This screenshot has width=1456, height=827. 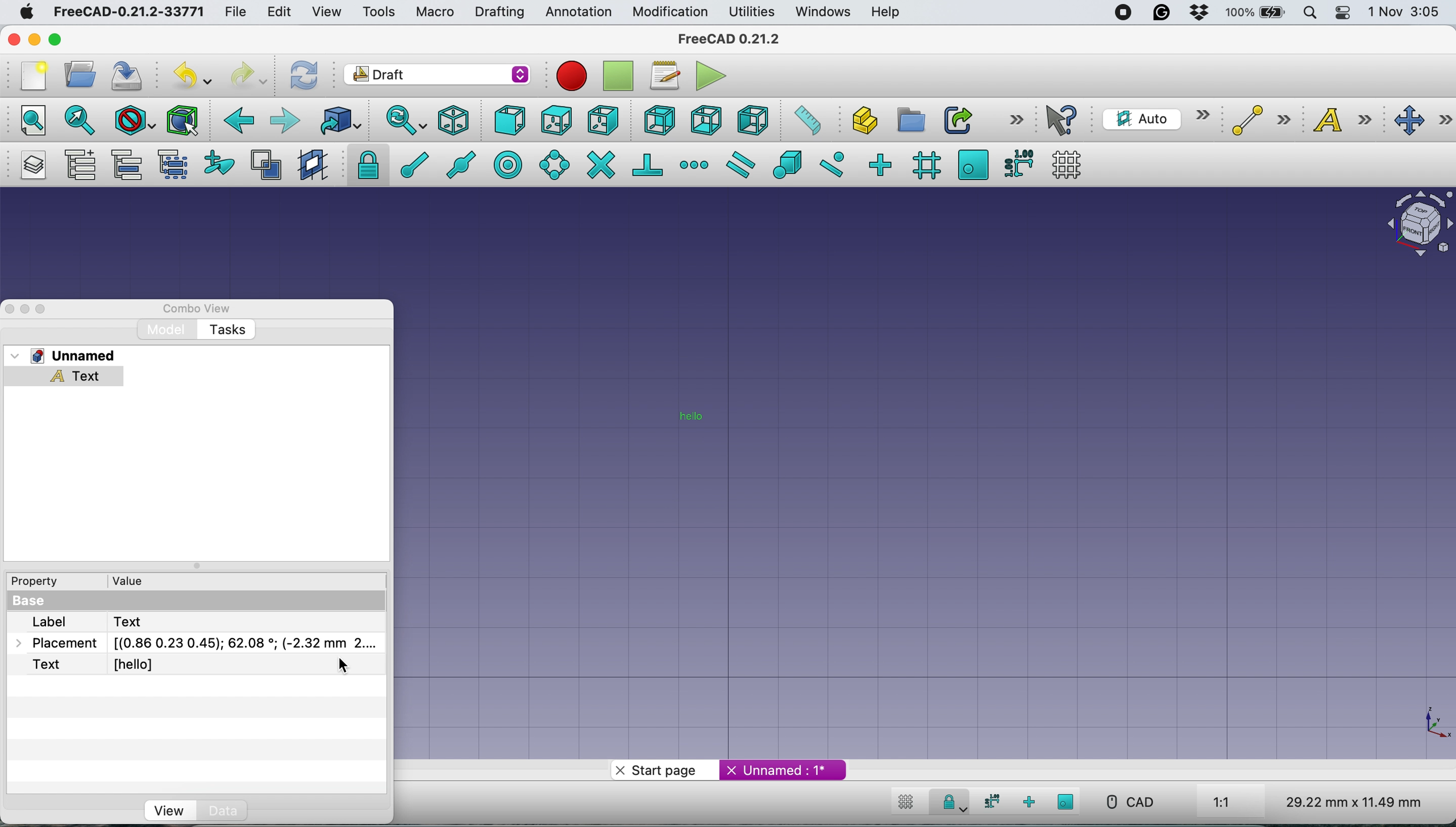 What do you see at coordinates (989, 803) in the screenshot?
I see `snap dimensions` at bounding box center [989, 803].